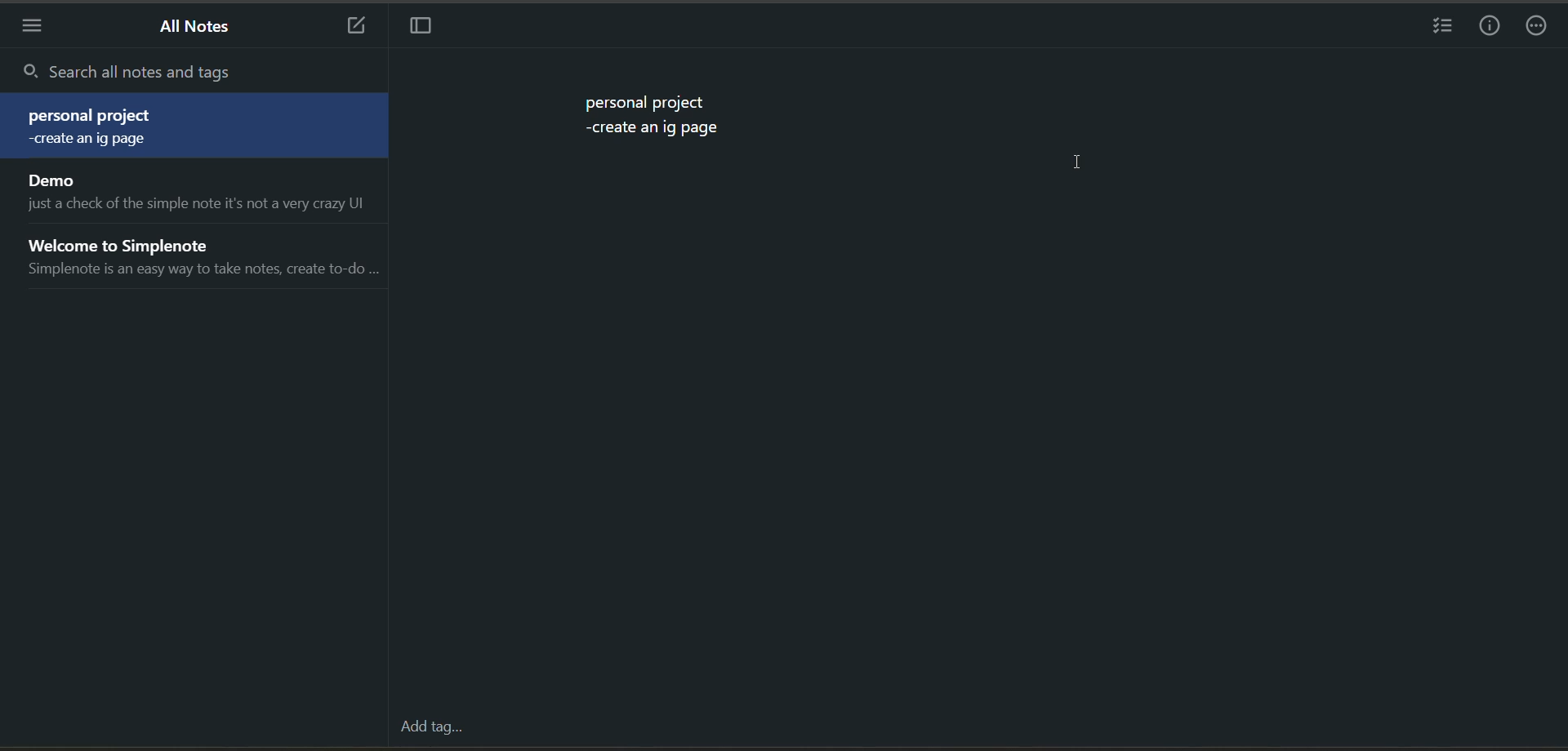 This screenshot has width=1568, height=751. What do you see at coordinates (200, 255) in the screenshot?
I see `note 3` at bounding box center [200, 255].